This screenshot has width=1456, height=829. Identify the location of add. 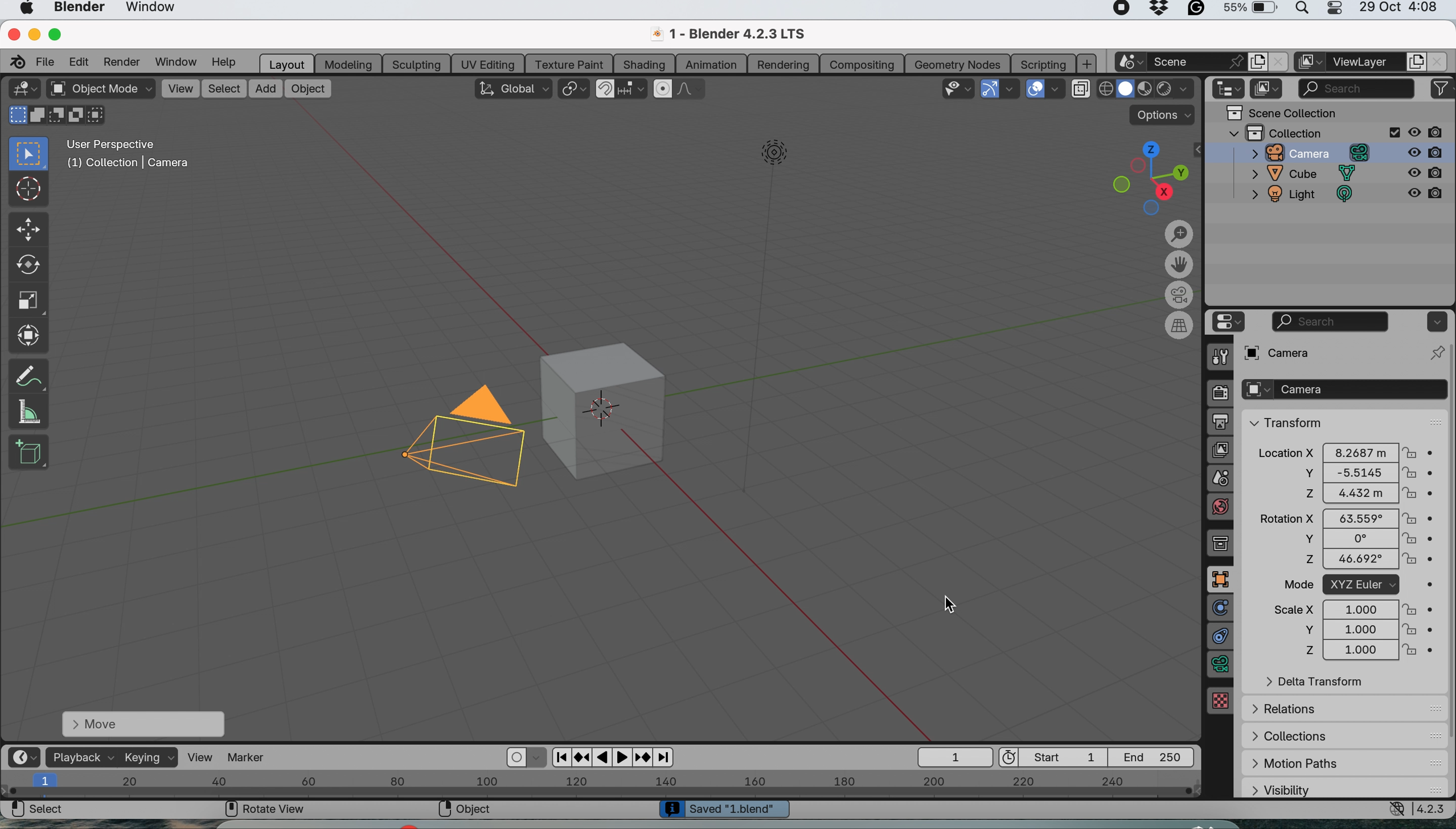
(1088, 64).